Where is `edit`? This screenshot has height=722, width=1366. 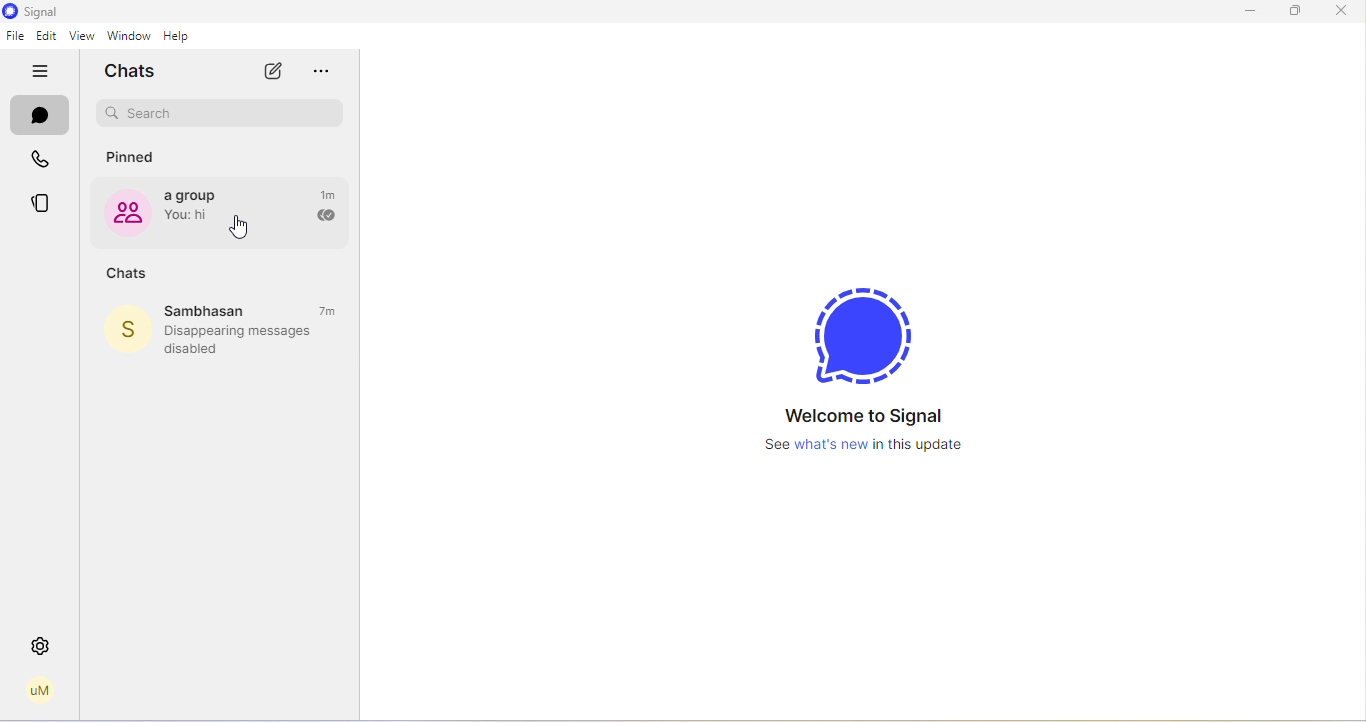
edit is located at coordinates (47, 37).